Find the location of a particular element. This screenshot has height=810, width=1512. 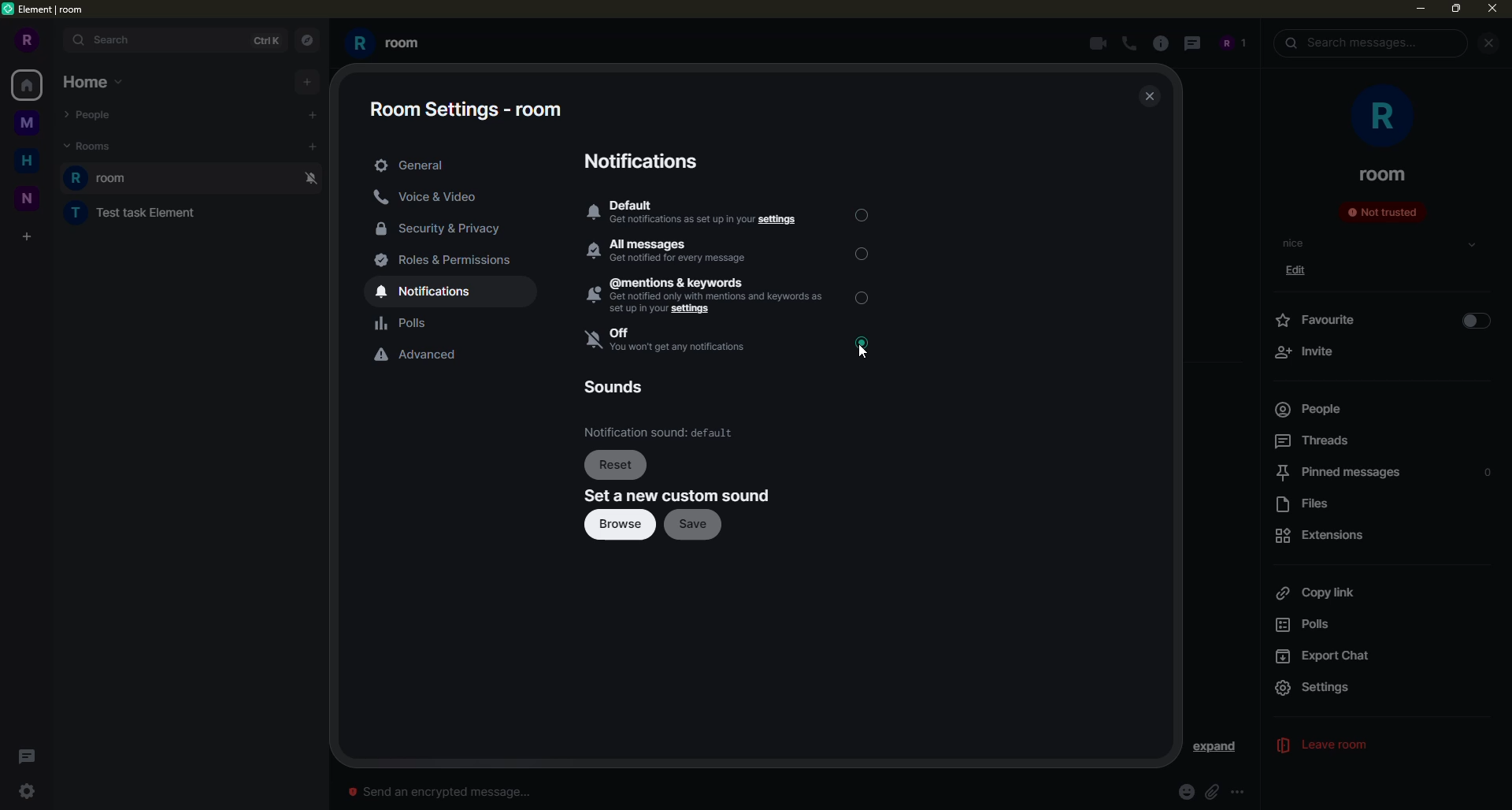

copy link is located at coordinates (1315, 593).